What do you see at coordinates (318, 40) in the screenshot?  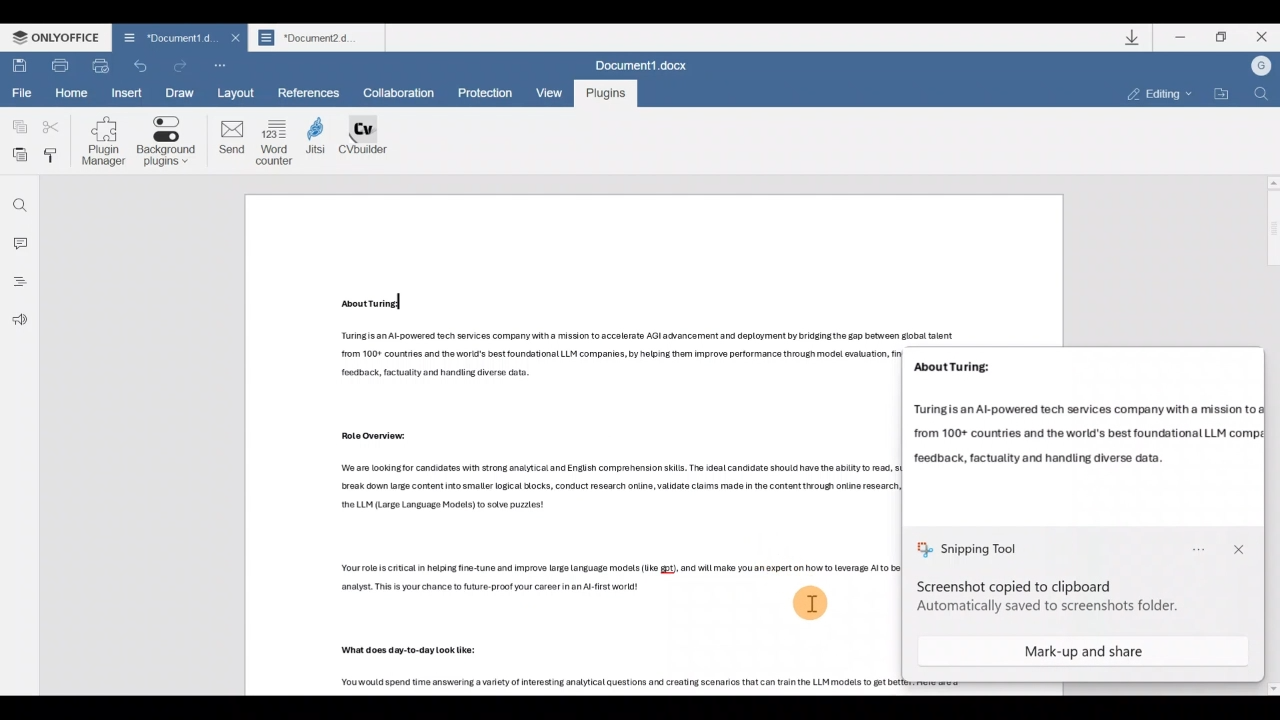 I see `Document2 d...` at bounding box center [318, 40].